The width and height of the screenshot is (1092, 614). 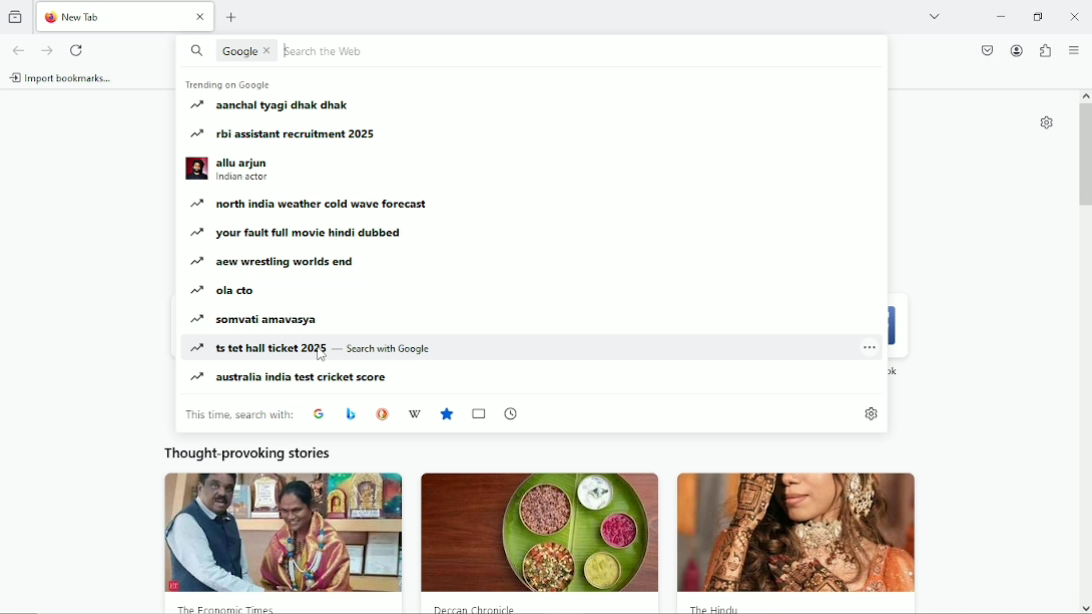 What do you see at coordinates (238, 51) in the screenshot?
I see `google` at bounding box center [238, 51].